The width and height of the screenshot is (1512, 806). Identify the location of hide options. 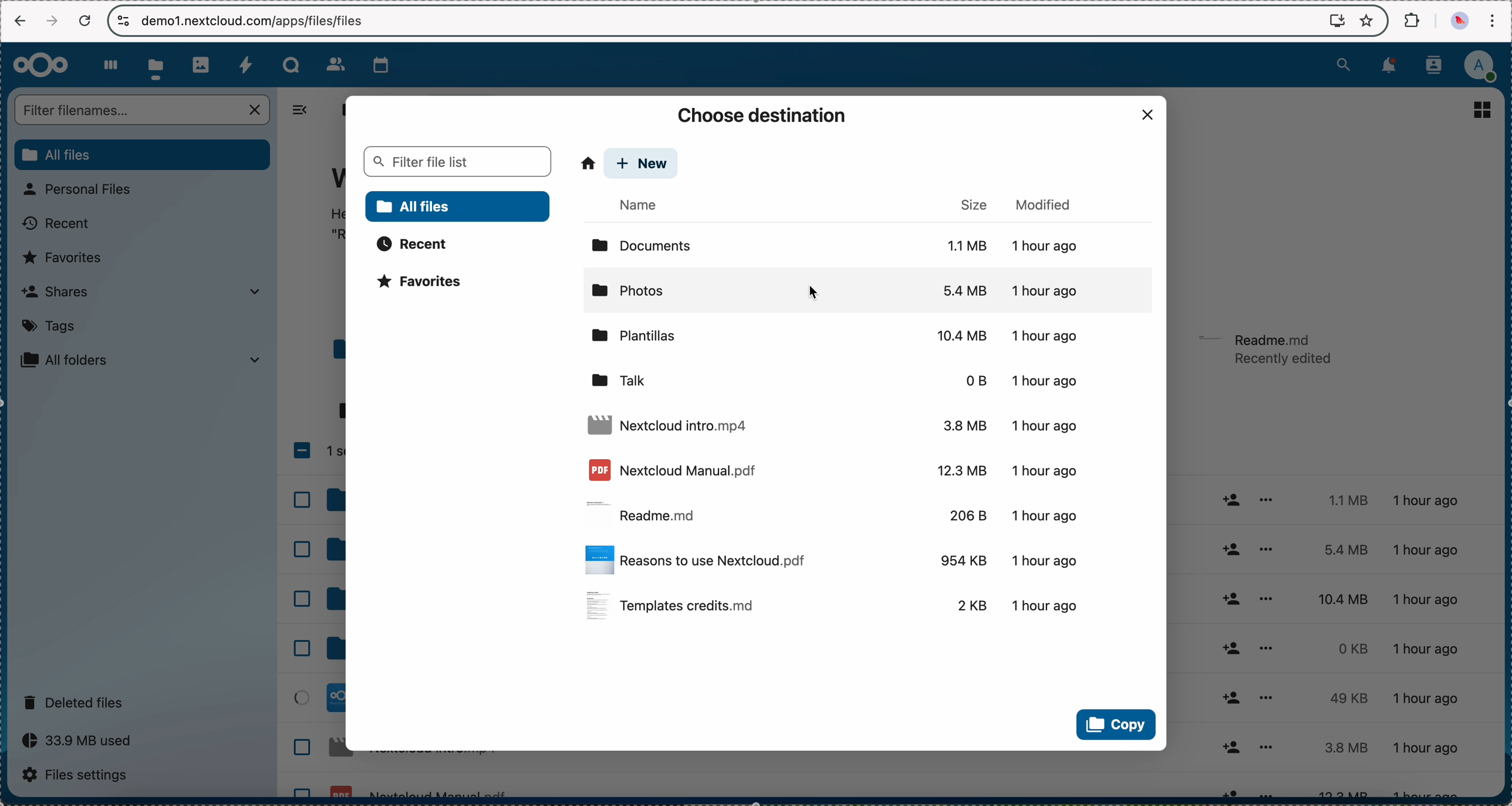
(305, 110).